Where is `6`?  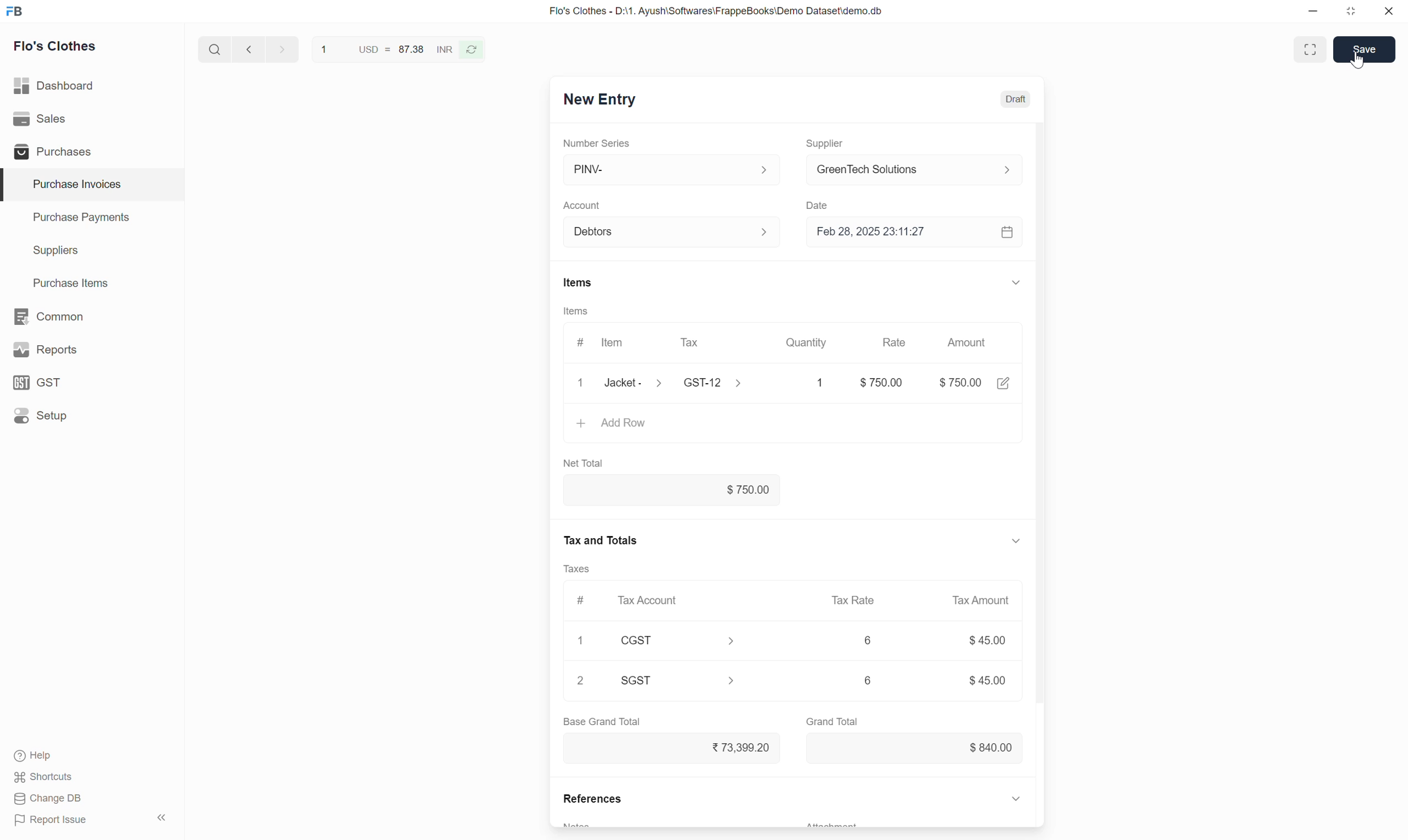 6 is located at coordinates (868, 640).